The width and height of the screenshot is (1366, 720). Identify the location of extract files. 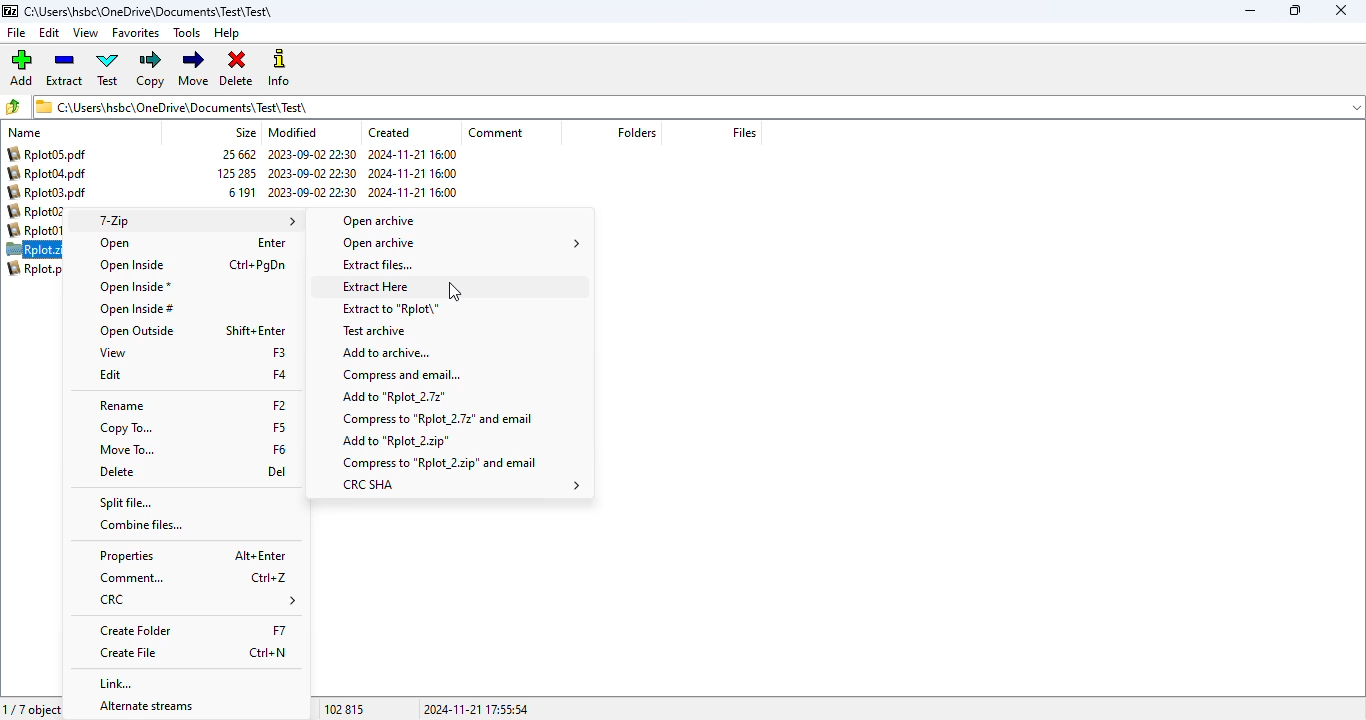
(376, 264).